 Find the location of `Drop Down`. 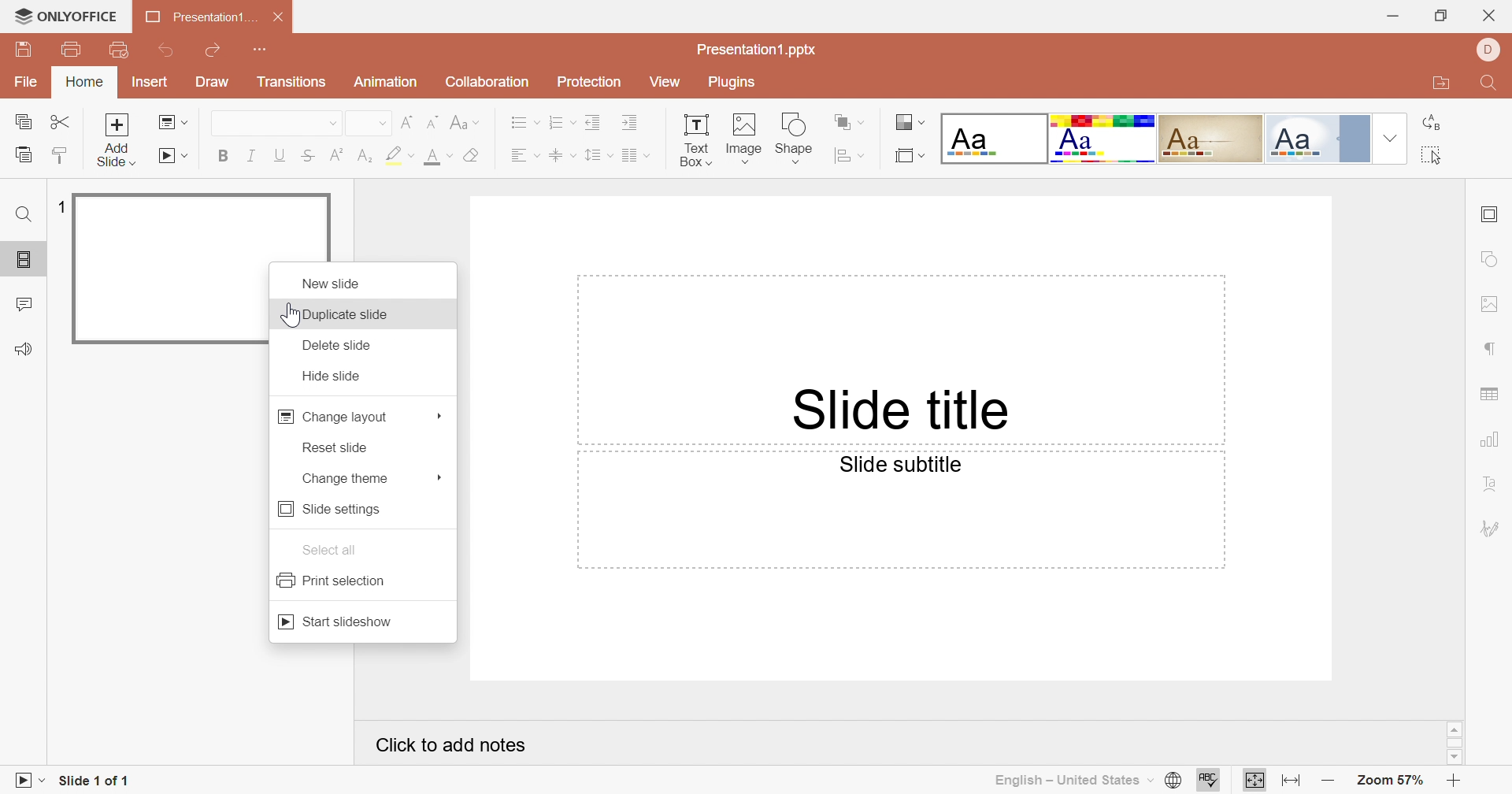

Drop Down is located at coordinates (610, 155).